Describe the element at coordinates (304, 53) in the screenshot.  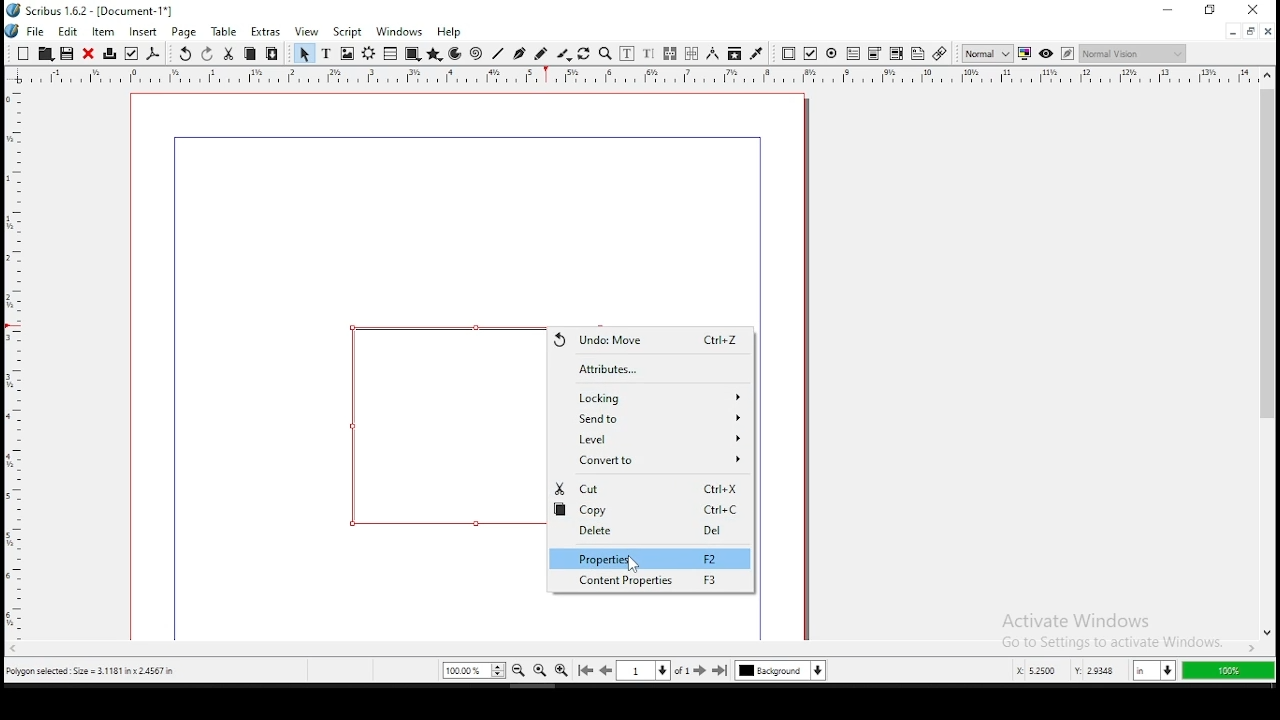
I see `select item` at that location.